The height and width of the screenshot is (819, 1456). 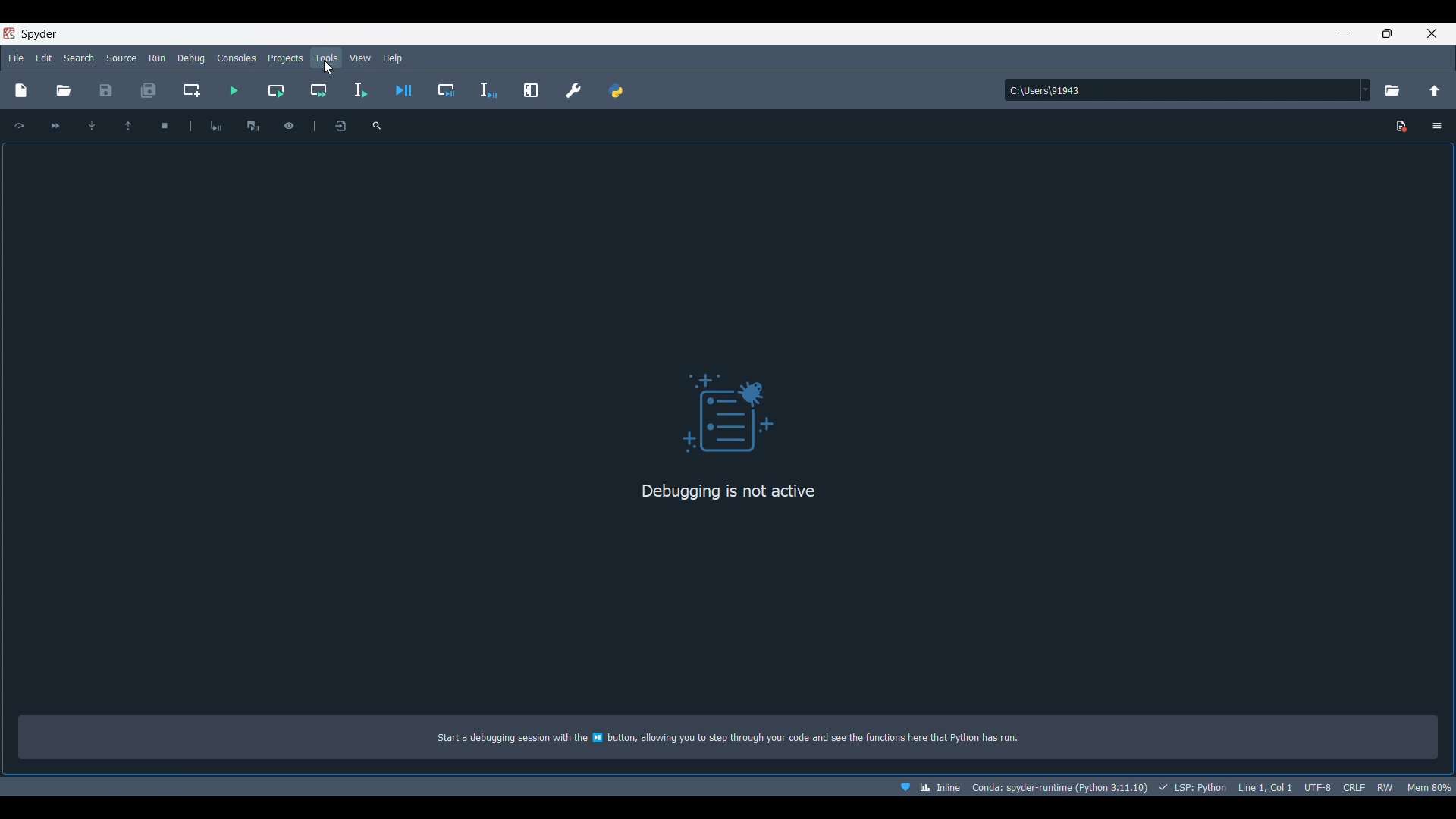 What do you see at coordinates (377, 124) in the screenshot?
I see `search variable name` at bounding box center [377, 124].